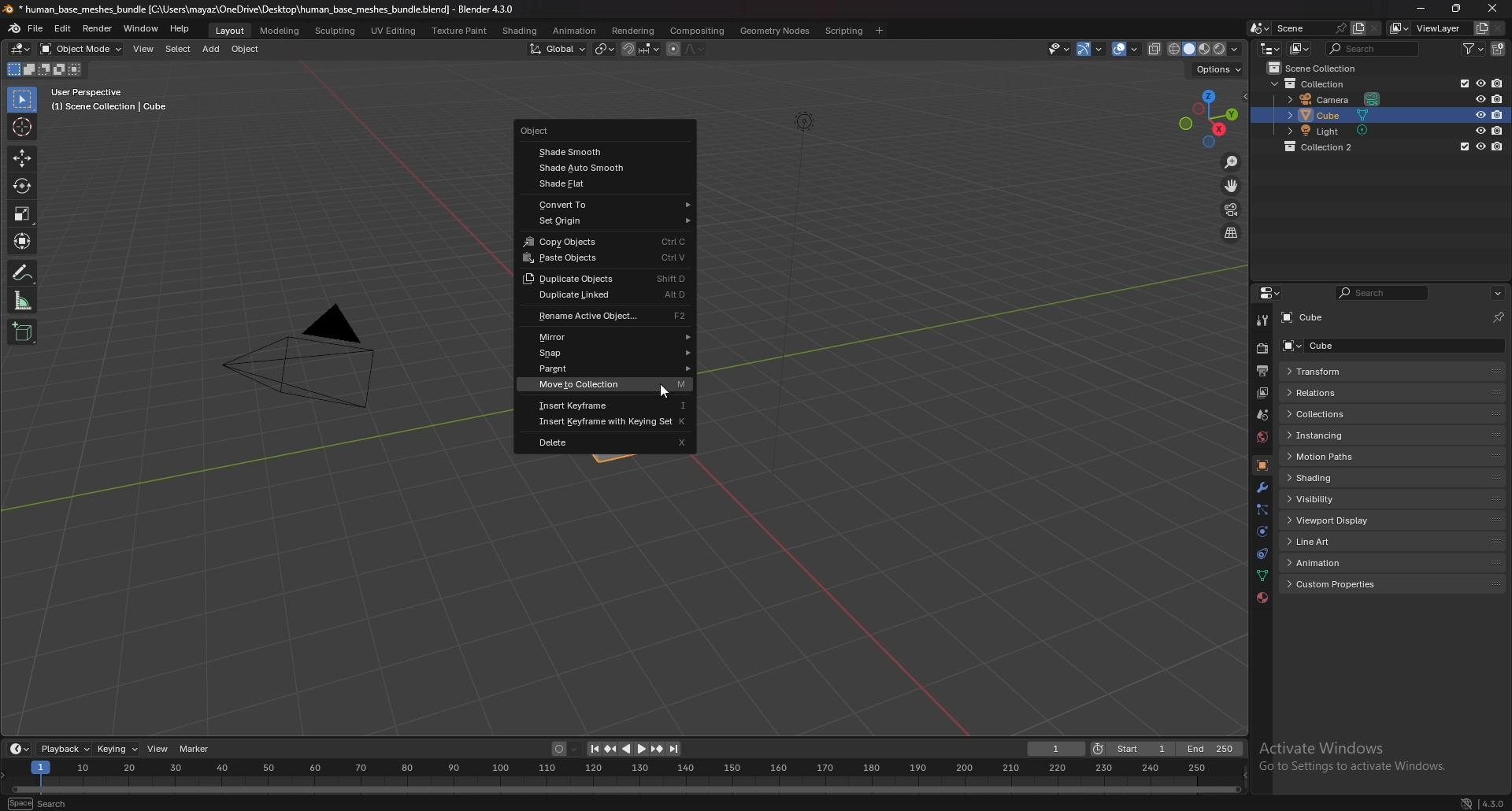 The width and height of the screenshot is (1512, 811). What do you see at coordinates (1307, 318) in the screenshot?
I see `cube` at bounding box center [1307, 318].